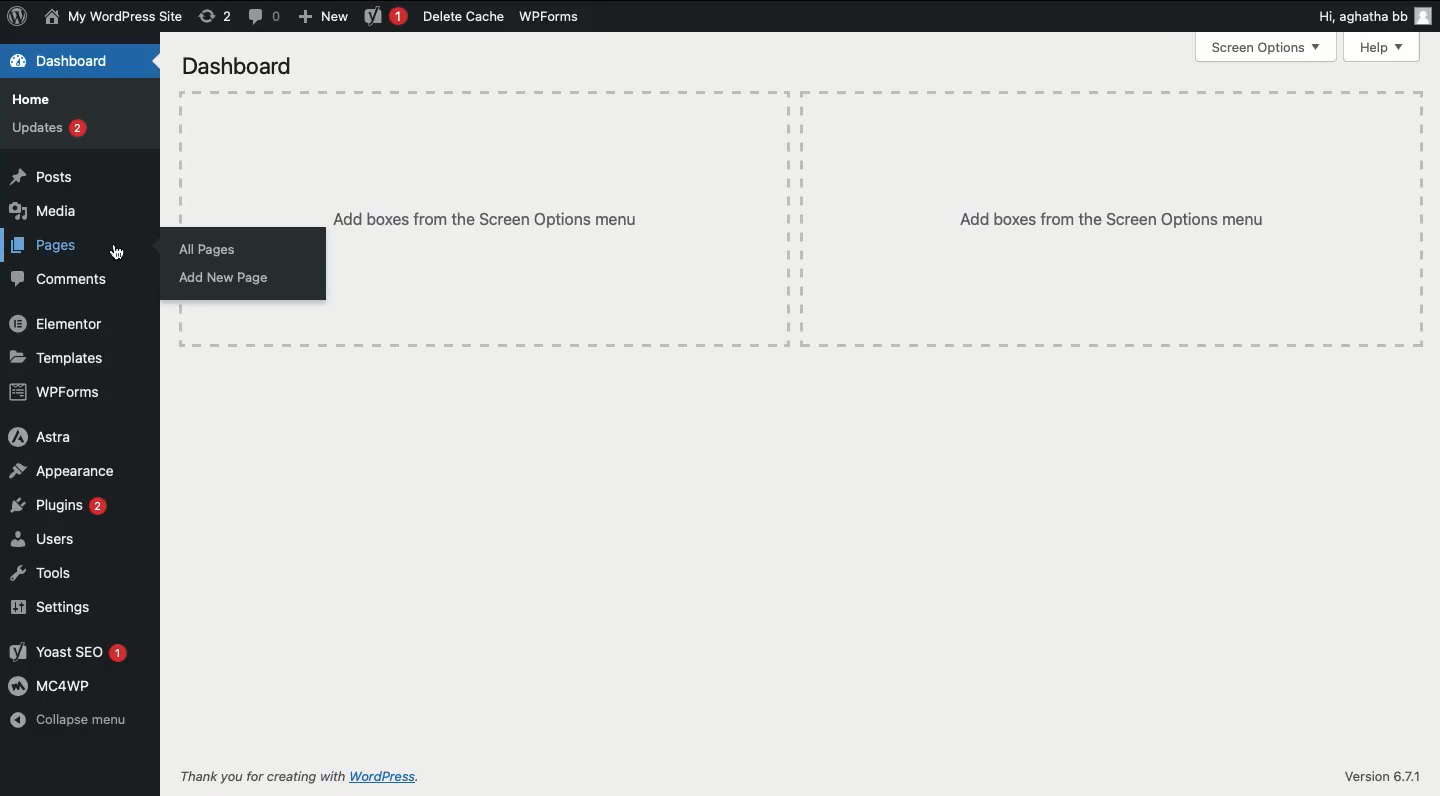 Image resolution: width=1440 pixels, height=796 pixels. Describe the element at coordinates (57, 391) in the screenshot. I see `WPForms` at that location.